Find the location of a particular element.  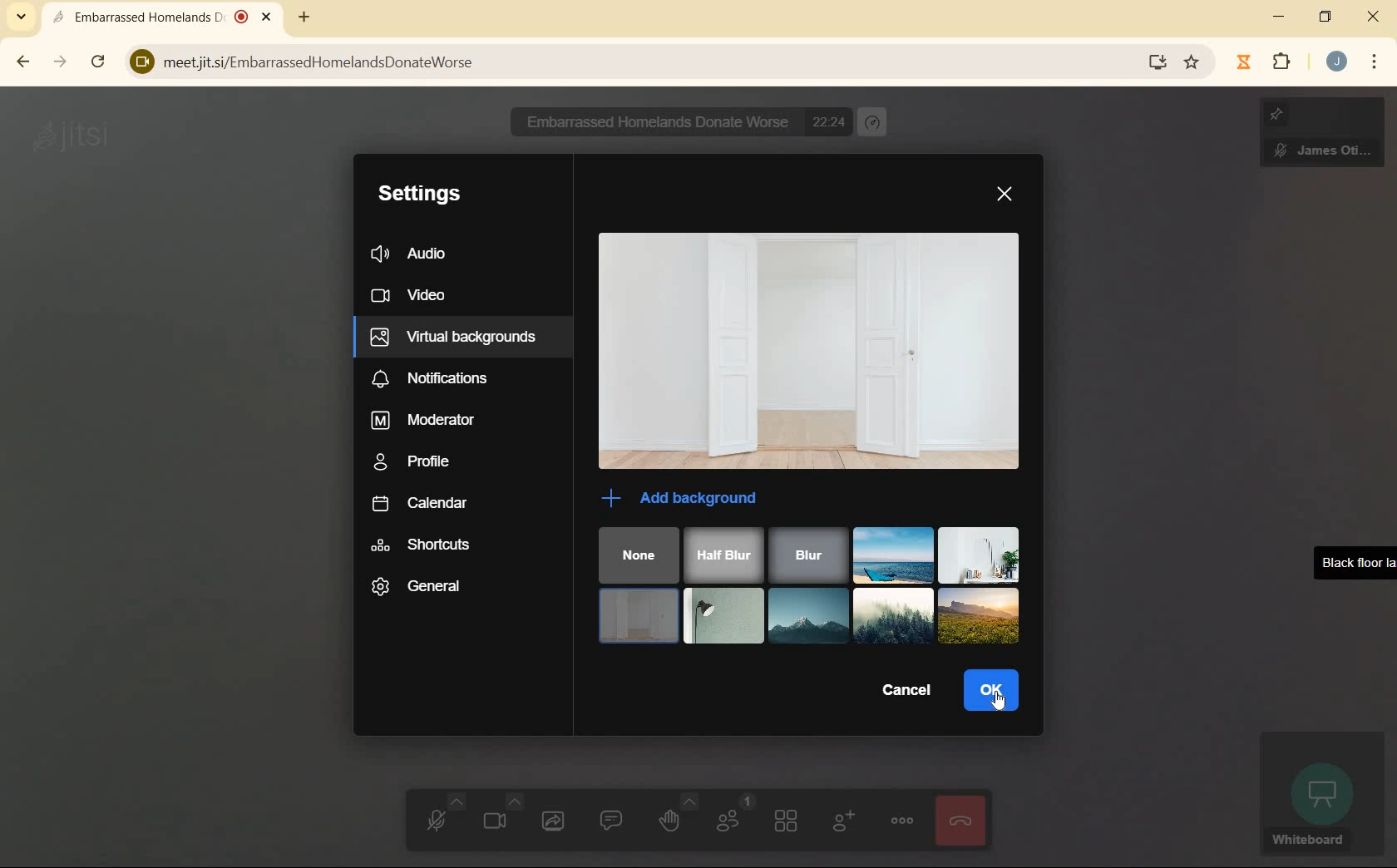

restore down is located at coordinates (1325, 16).